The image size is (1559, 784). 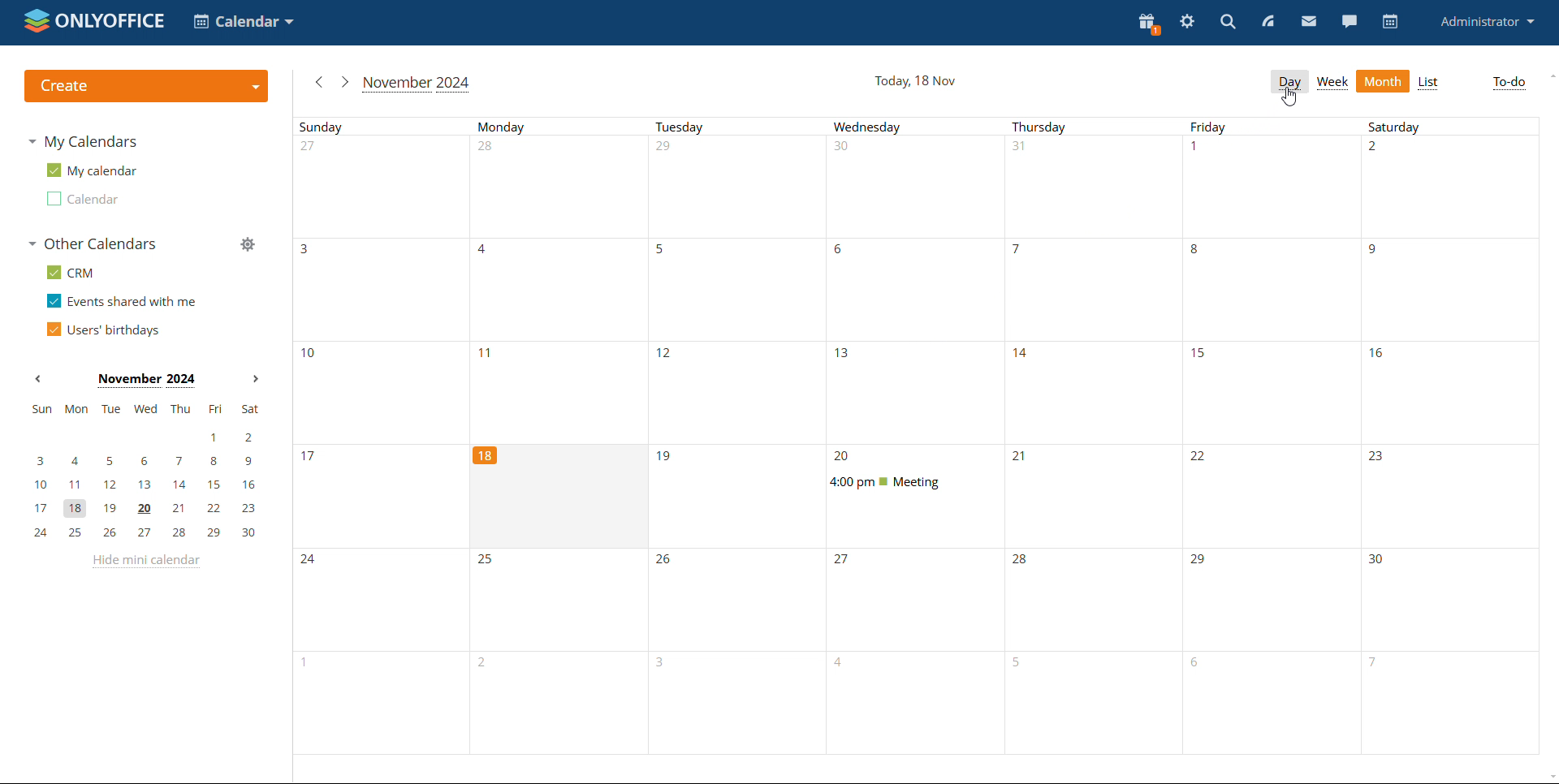 I want to click on scroll up, so click(x=1549, y=75).